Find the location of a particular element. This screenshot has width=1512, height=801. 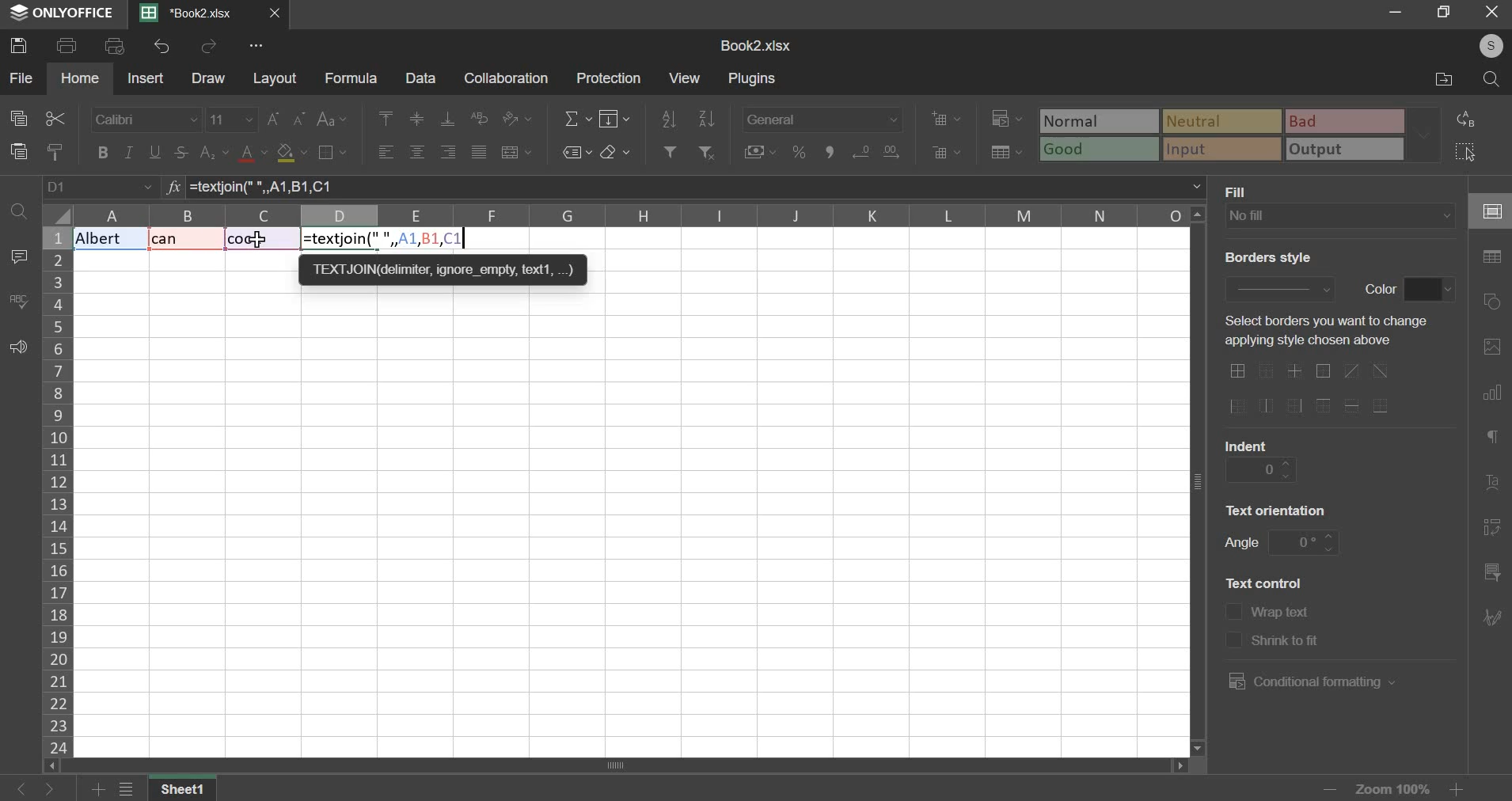

select is located at coordinates (1474, 152).